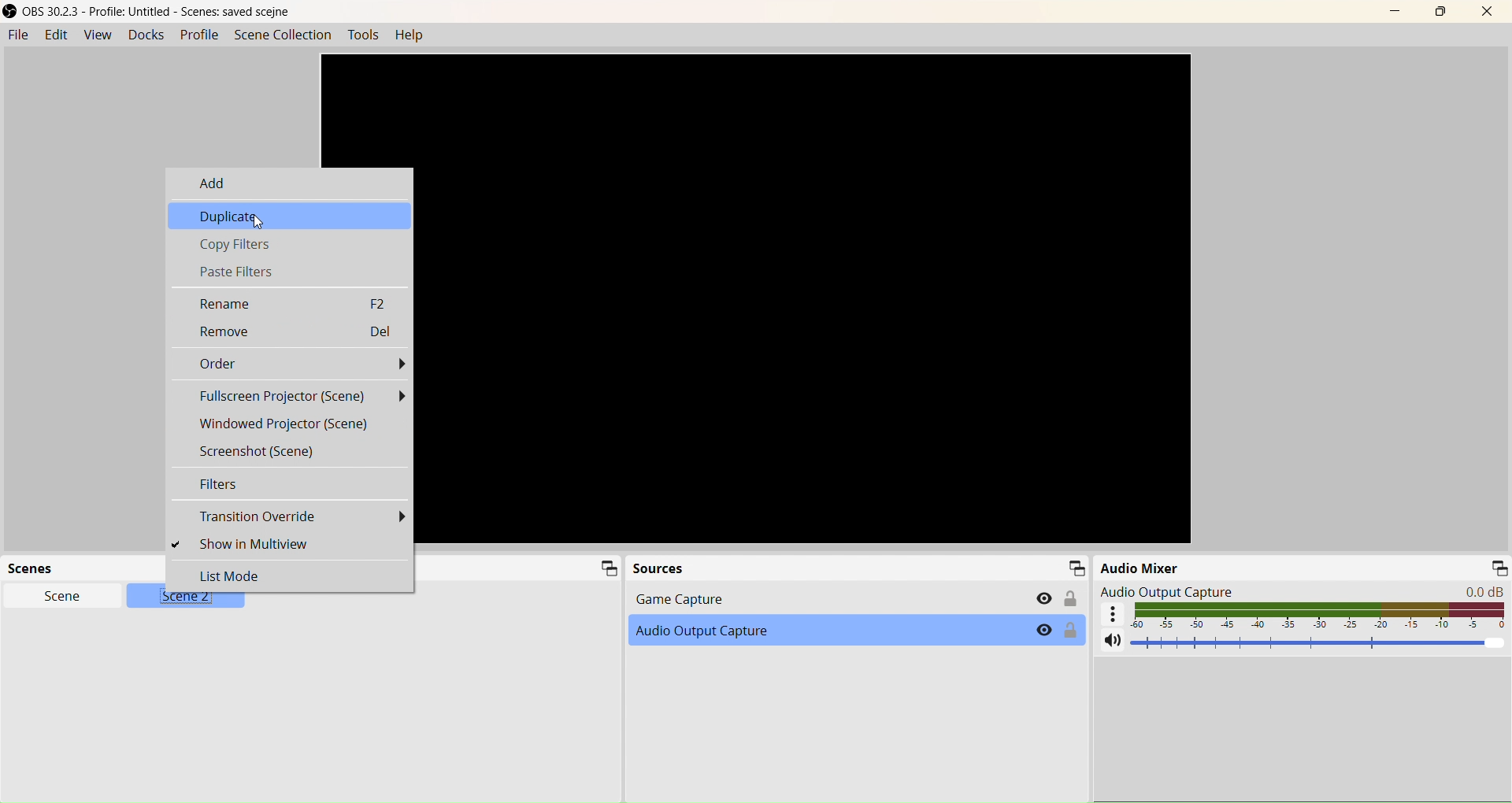 The width and height of the screenshot is (1512, 803). Describe the element at coordinates (1112, 639) in the screenshot. I see `Mute/ Unmute` at that location.